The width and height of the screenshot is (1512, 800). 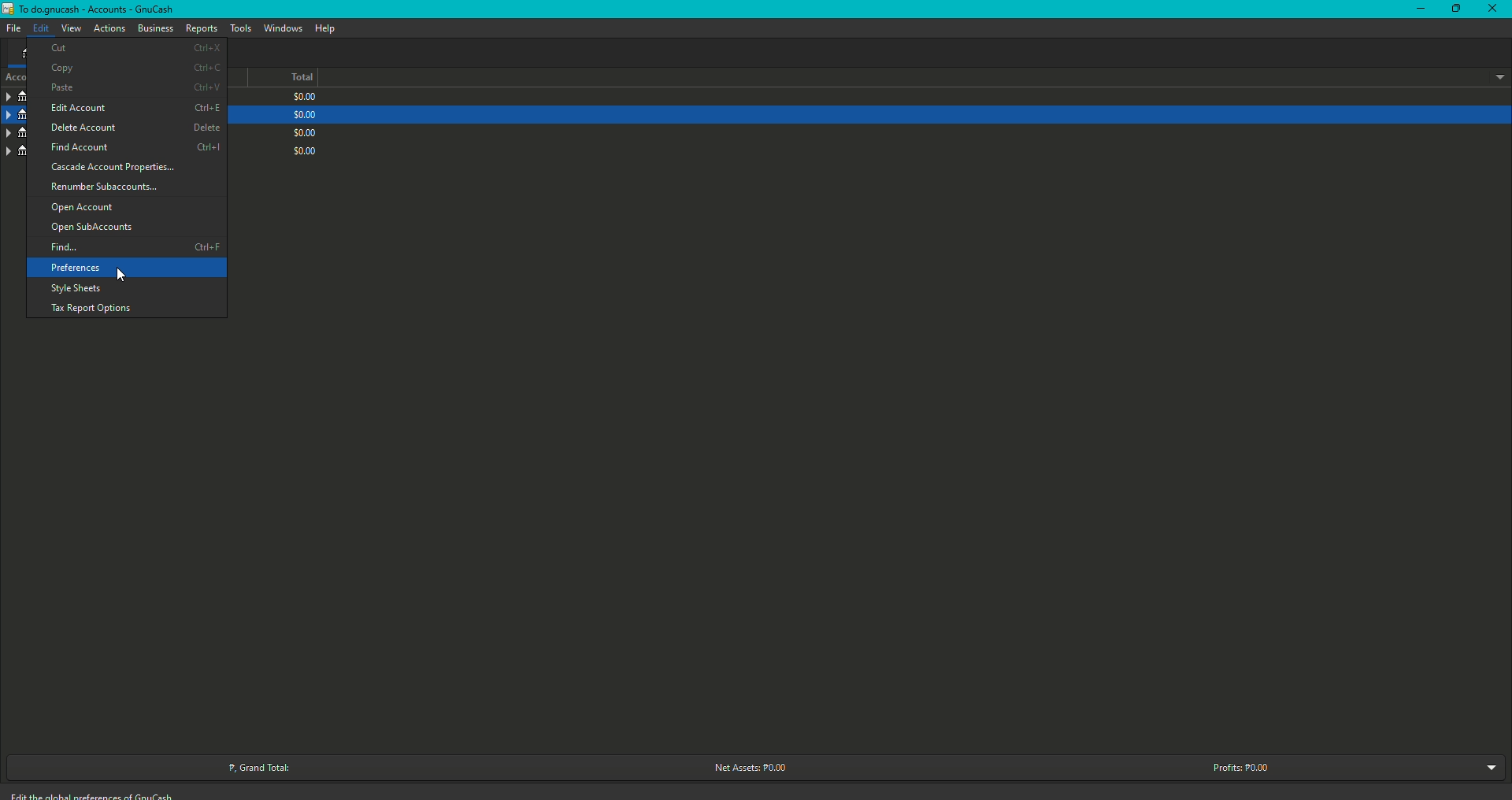 I want to click on Remember Subaccounts, so click(x=105, y=187).